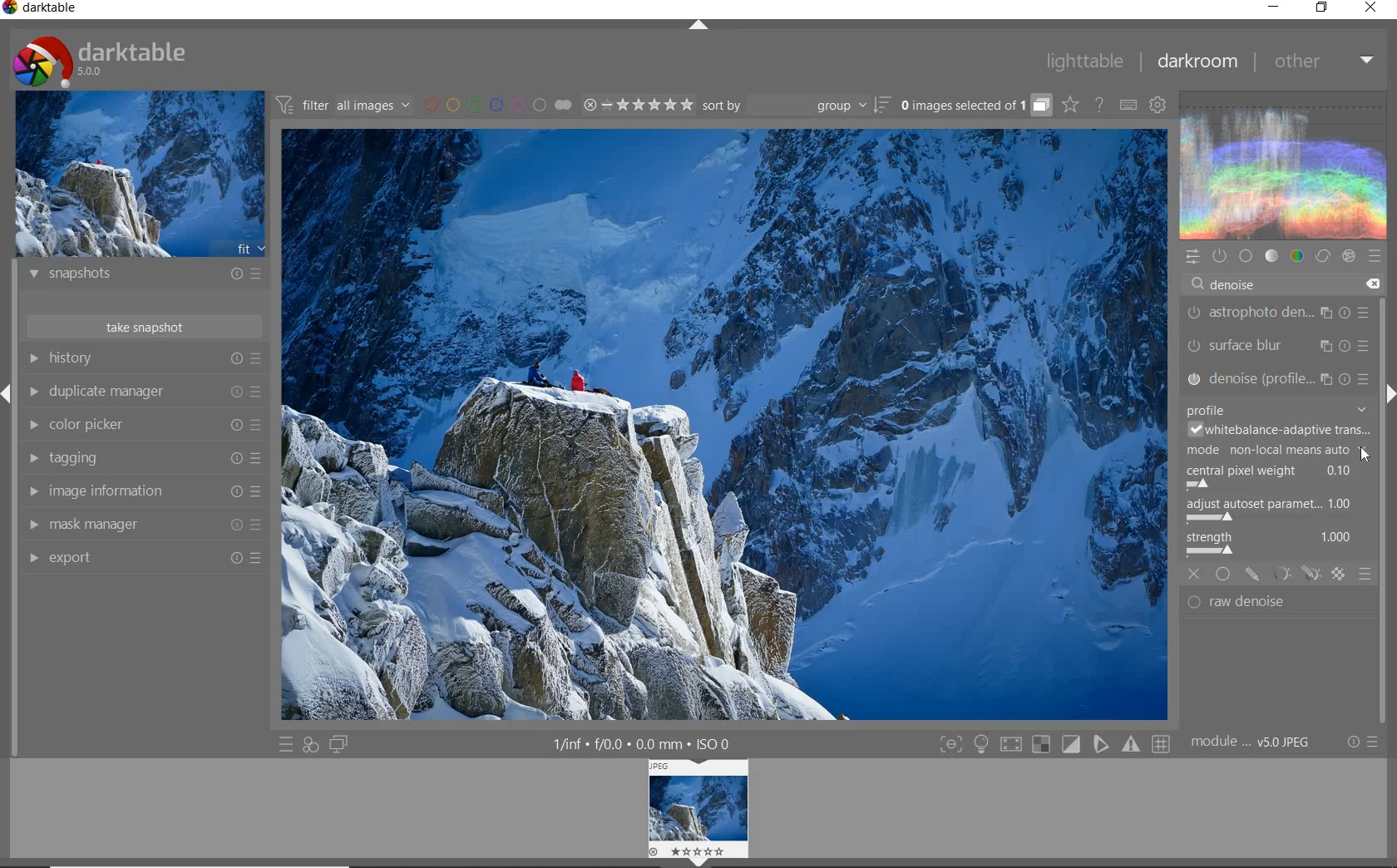 The height and width of the screenshot is (868, 1397). I want to click on tone, so click(1271, 255).